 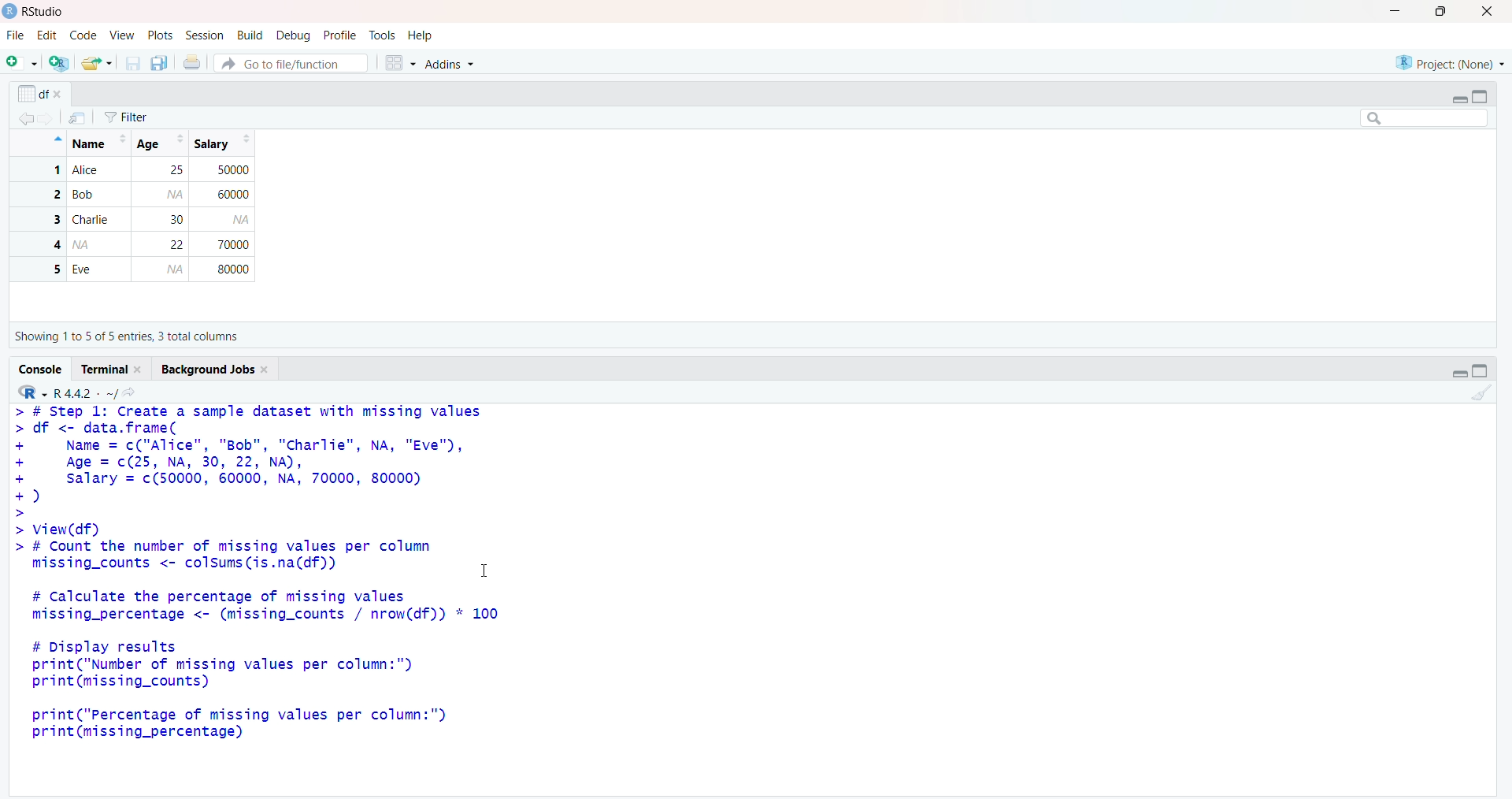 What do you see at coordinates (160, 63) in the screenshot?
I see `Save all open documents (Ctrl + Alt + S)` at bounding box center [160, 63].